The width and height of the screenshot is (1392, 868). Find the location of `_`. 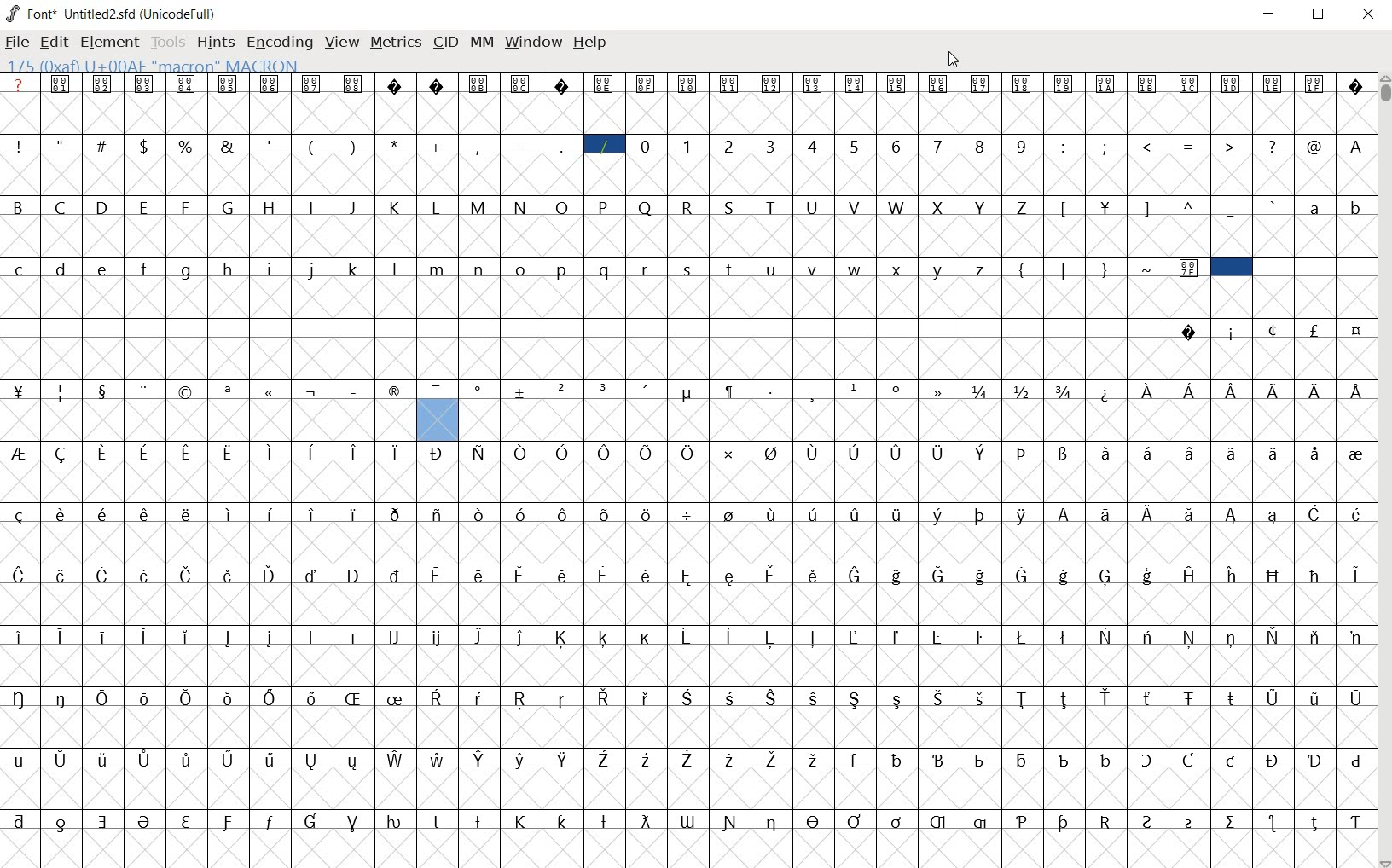

_ is located at coordinates (1232, 208).